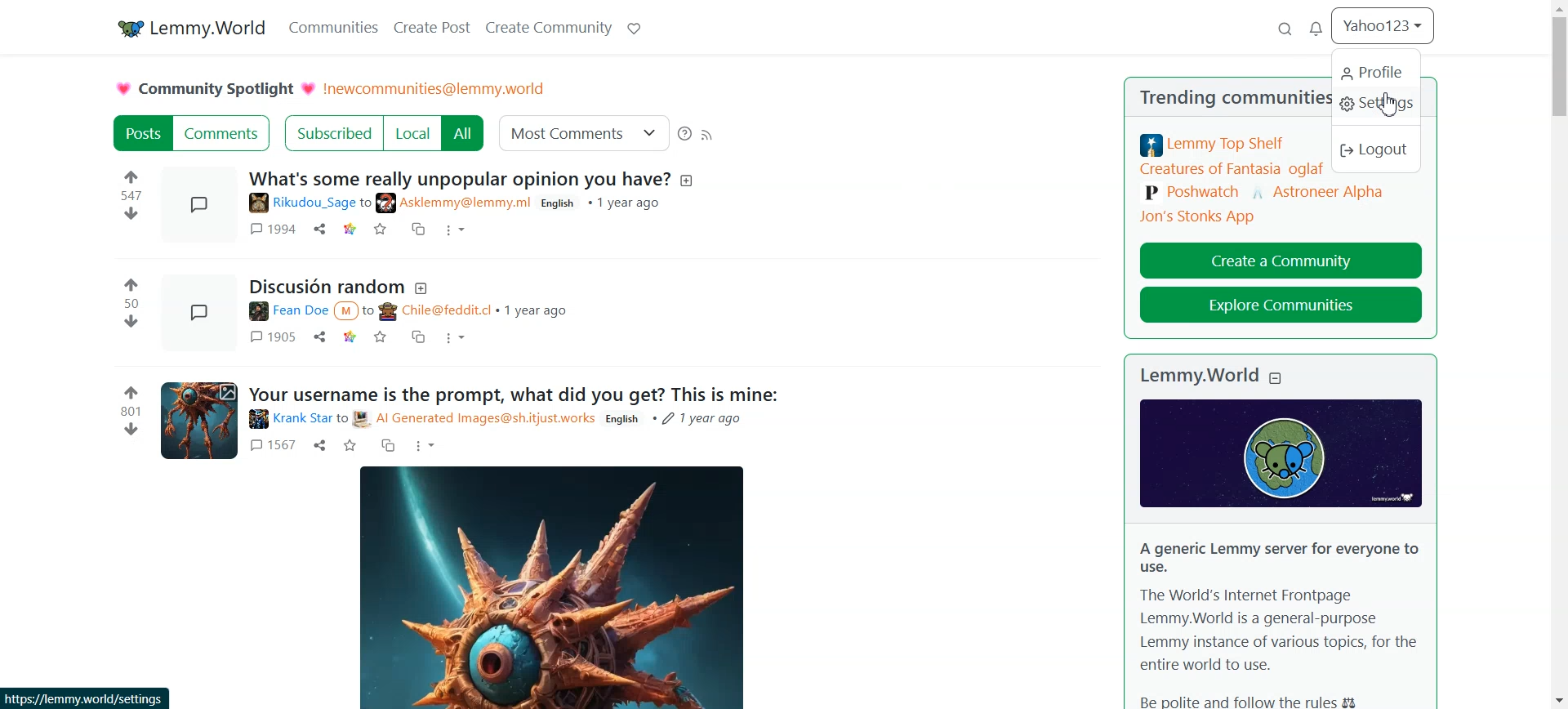 The image size is (1568, 709). What do you see at coordinates (474, 419) in the screenshot?
I see `AI generated images@sh.itjust.works` at bounding box center [474, 419].